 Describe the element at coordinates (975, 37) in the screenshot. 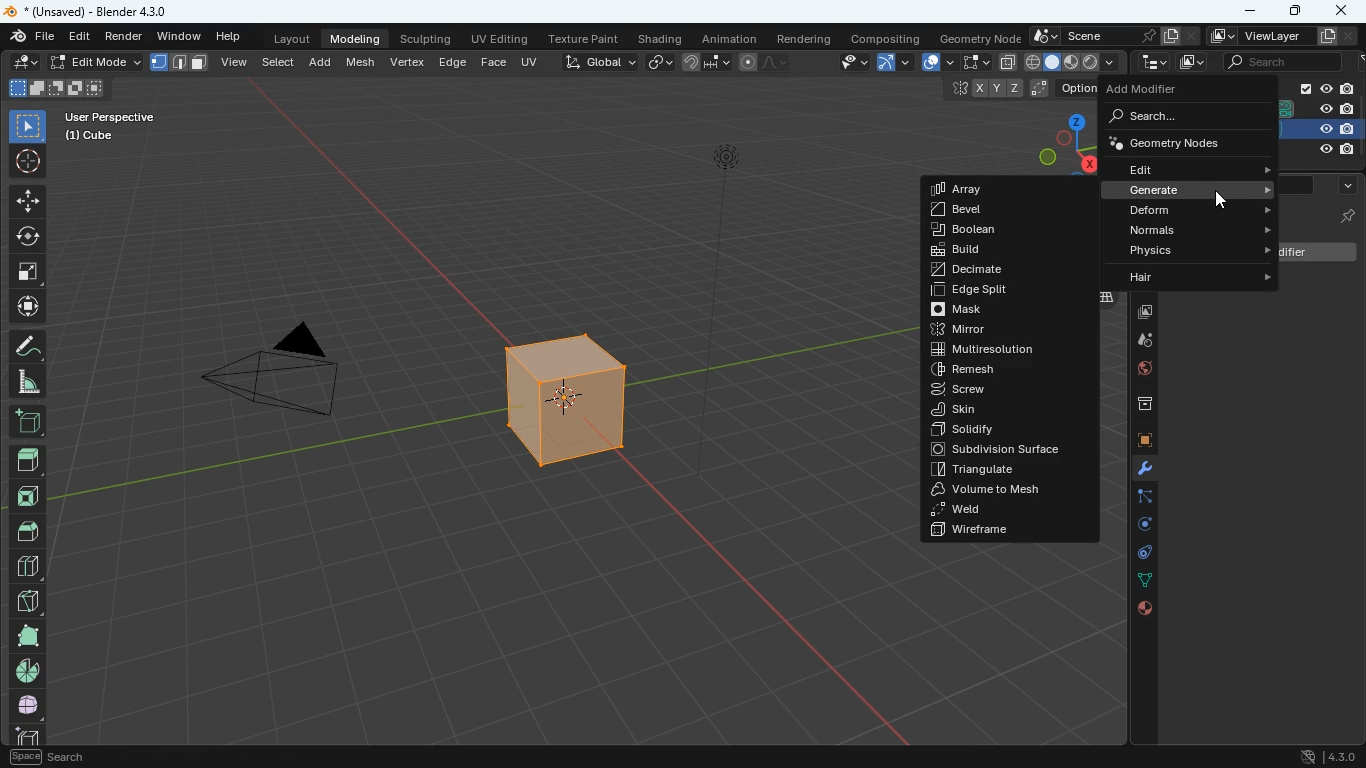

I see `geometry node` at that location.